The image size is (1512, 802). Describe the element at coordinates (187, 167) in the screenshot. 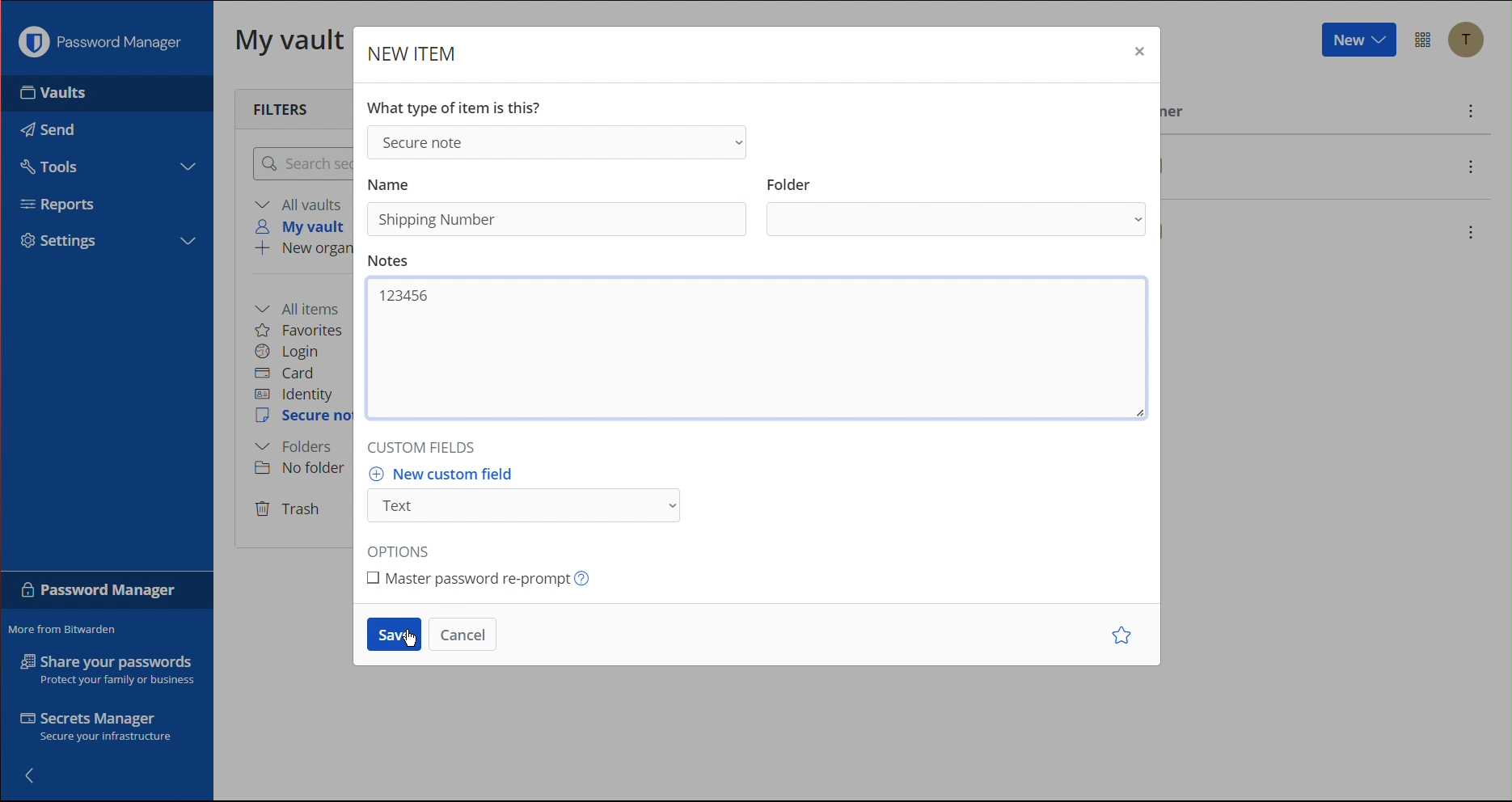

I see `expand/collapse` at that location.